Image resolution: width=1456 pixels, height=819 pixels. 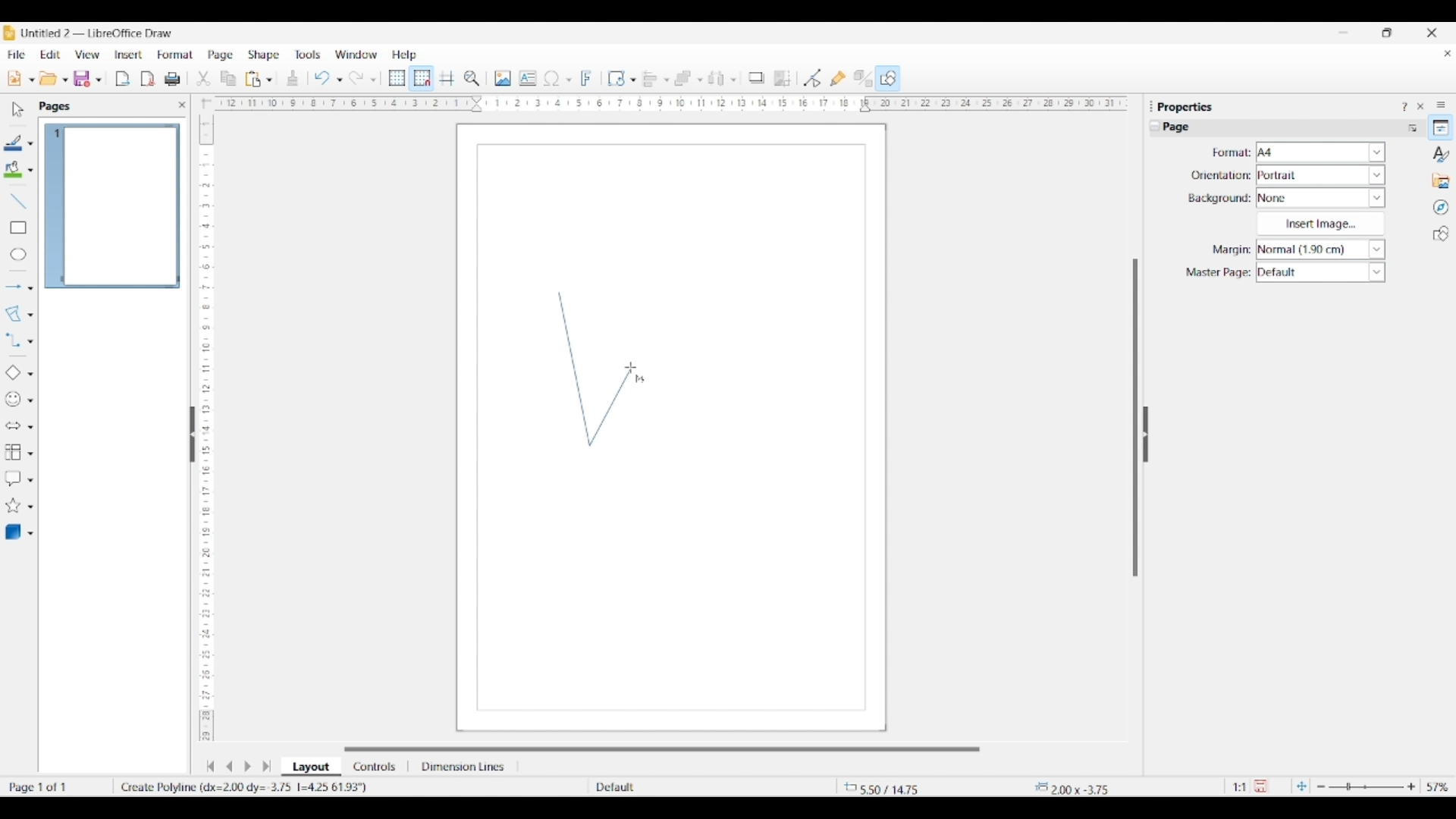 What do you see at coordinates (14, 143) in the screenshot?
I see `Selected line color` at bounding box center [14, 143].